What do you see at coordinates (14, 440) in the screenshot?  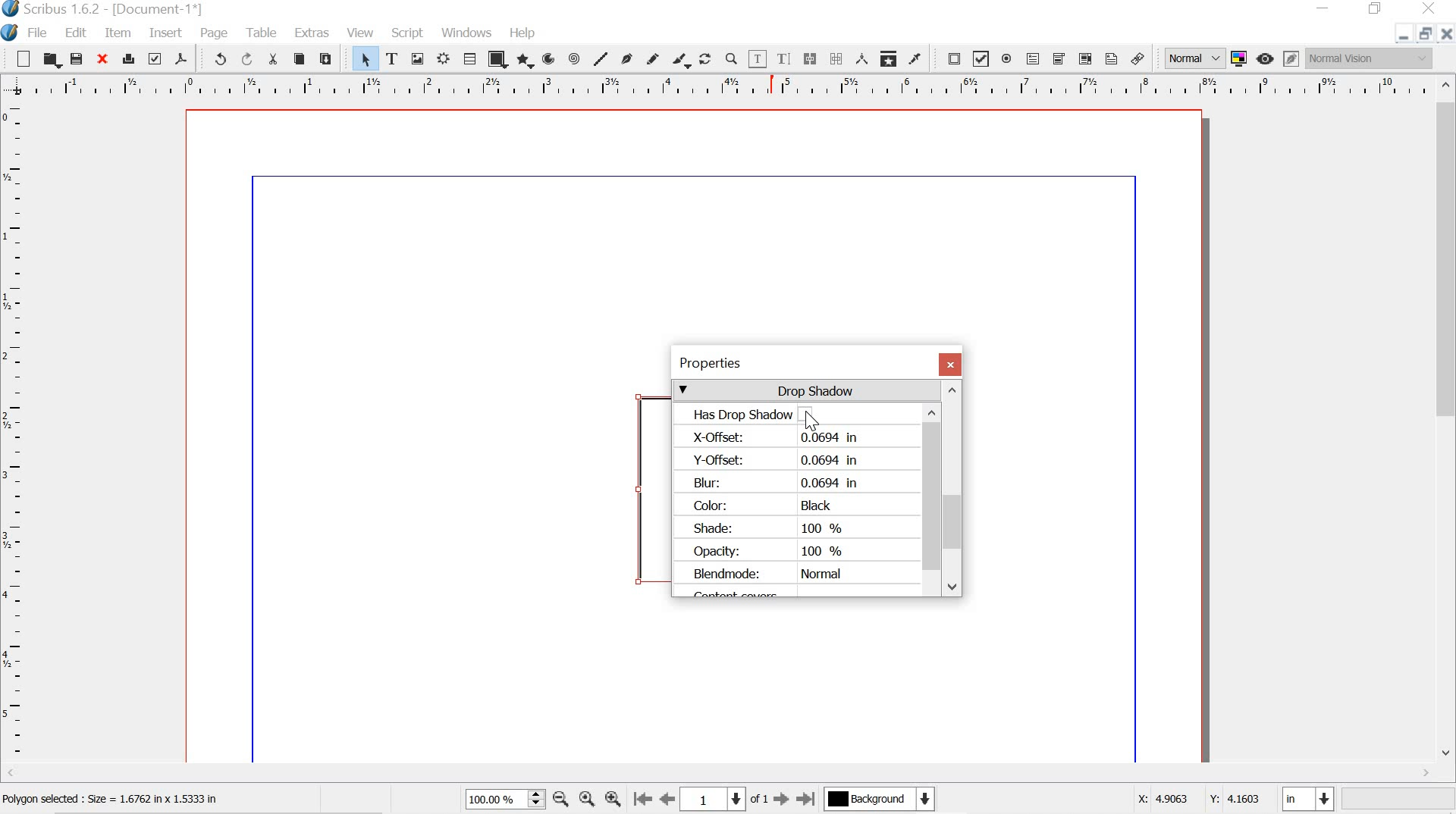 I see `ruler` at bounding box center [14, 440].